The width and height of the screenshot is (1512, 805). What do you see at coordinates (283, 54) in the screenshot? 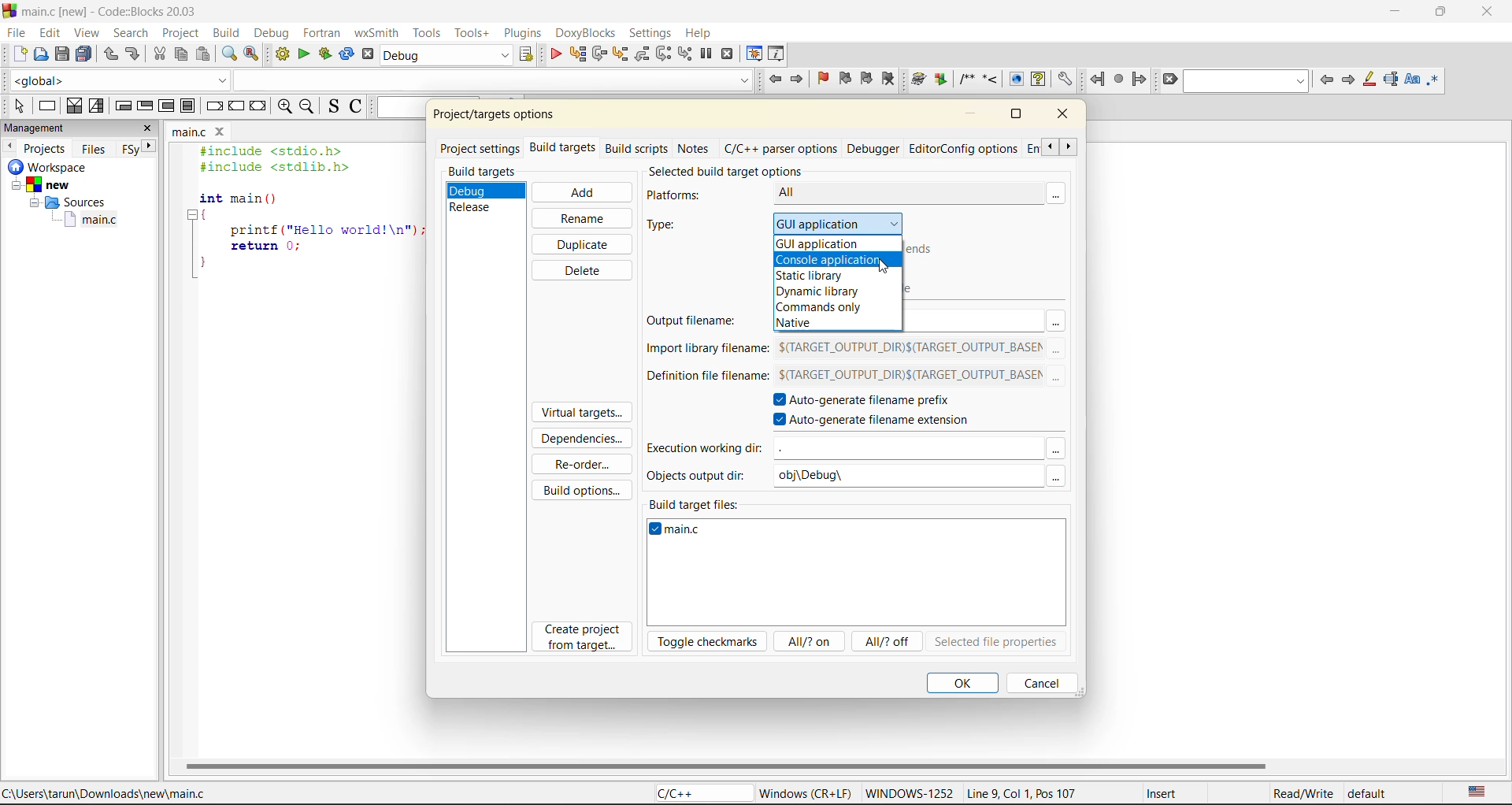
I see `build` at bounding box center [283, 54].